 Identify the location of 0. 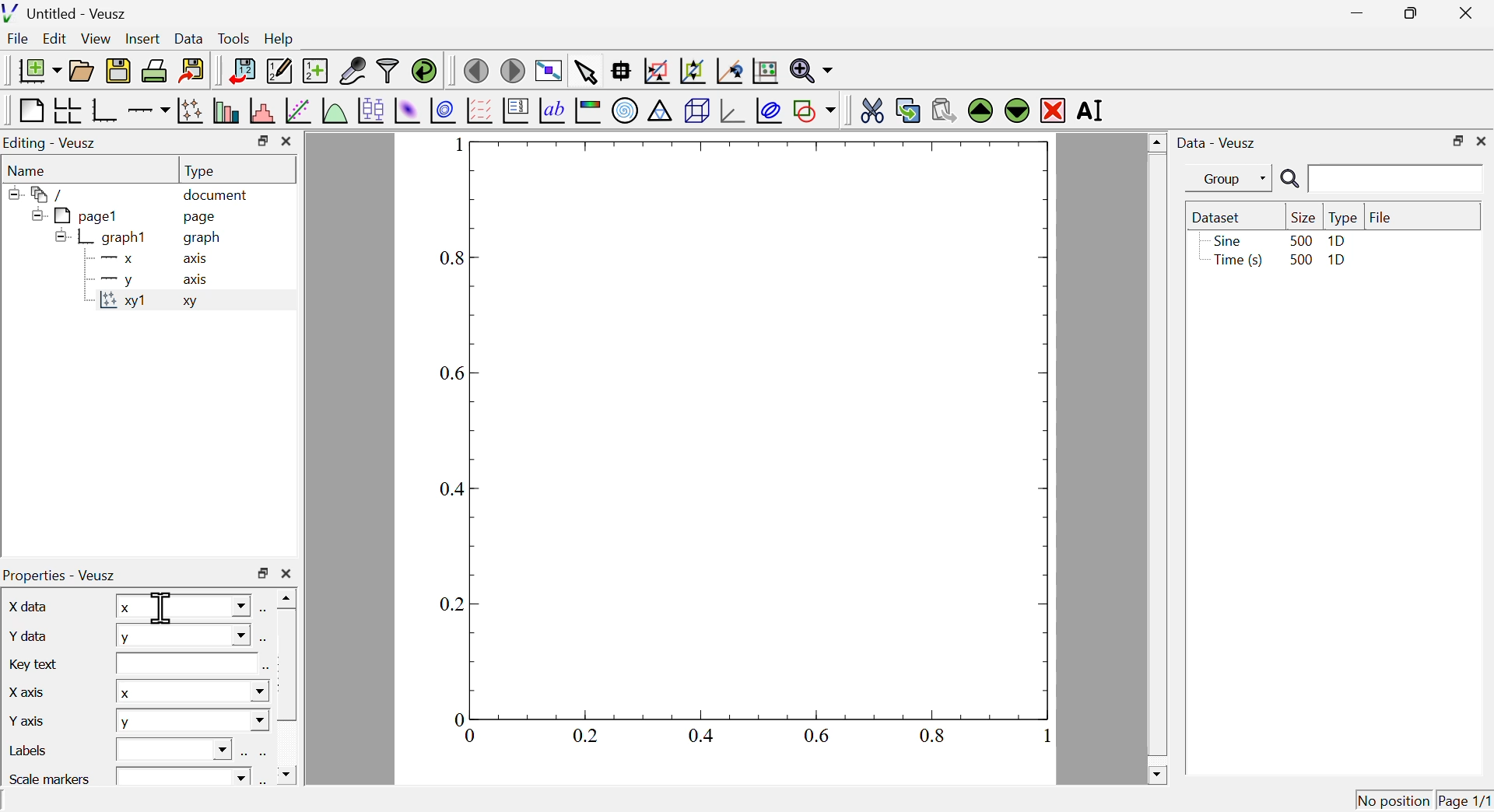
(458, 718).